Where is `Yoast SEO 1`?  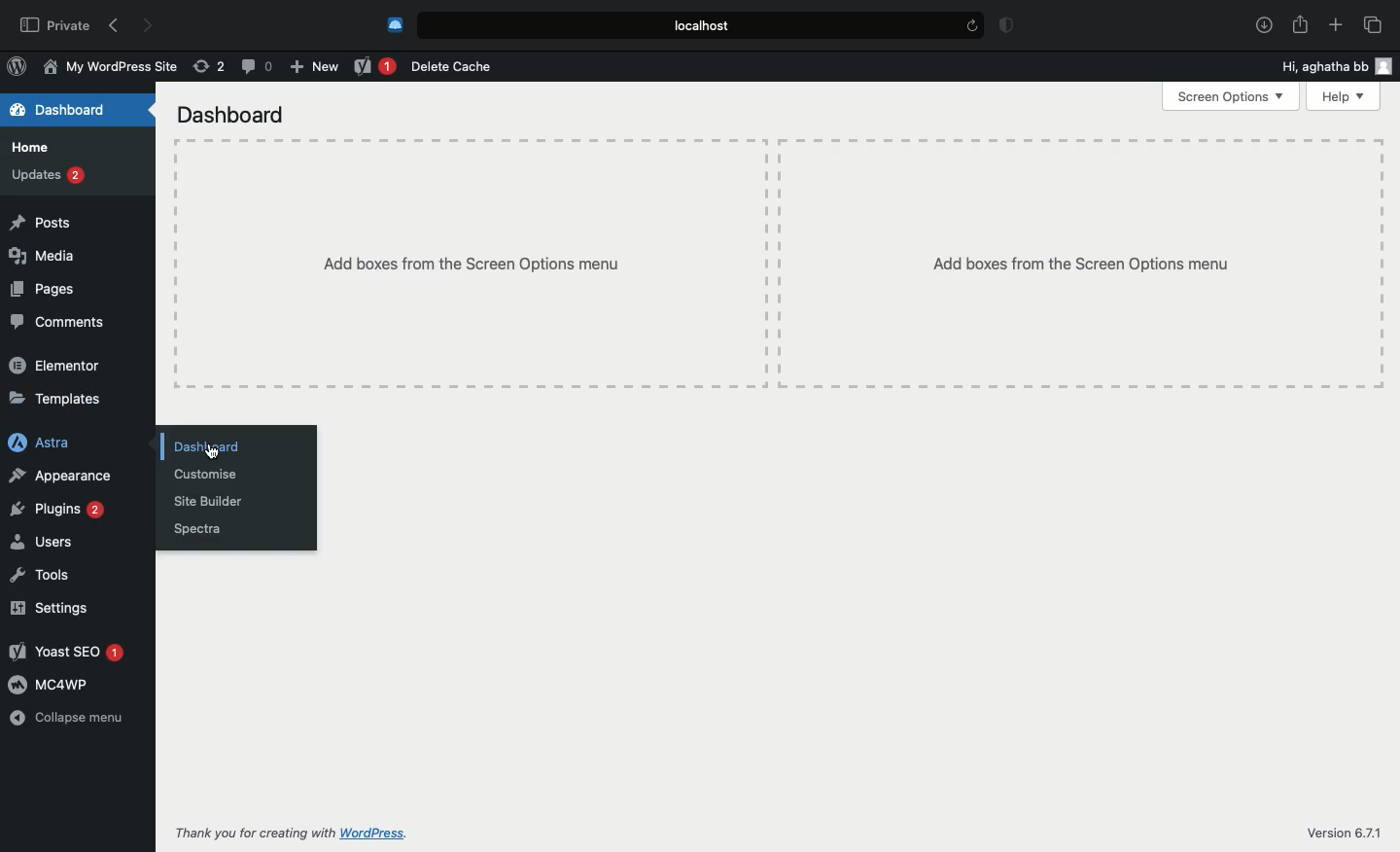
Yoast SEO 1 is located at coordinates (66, 652).